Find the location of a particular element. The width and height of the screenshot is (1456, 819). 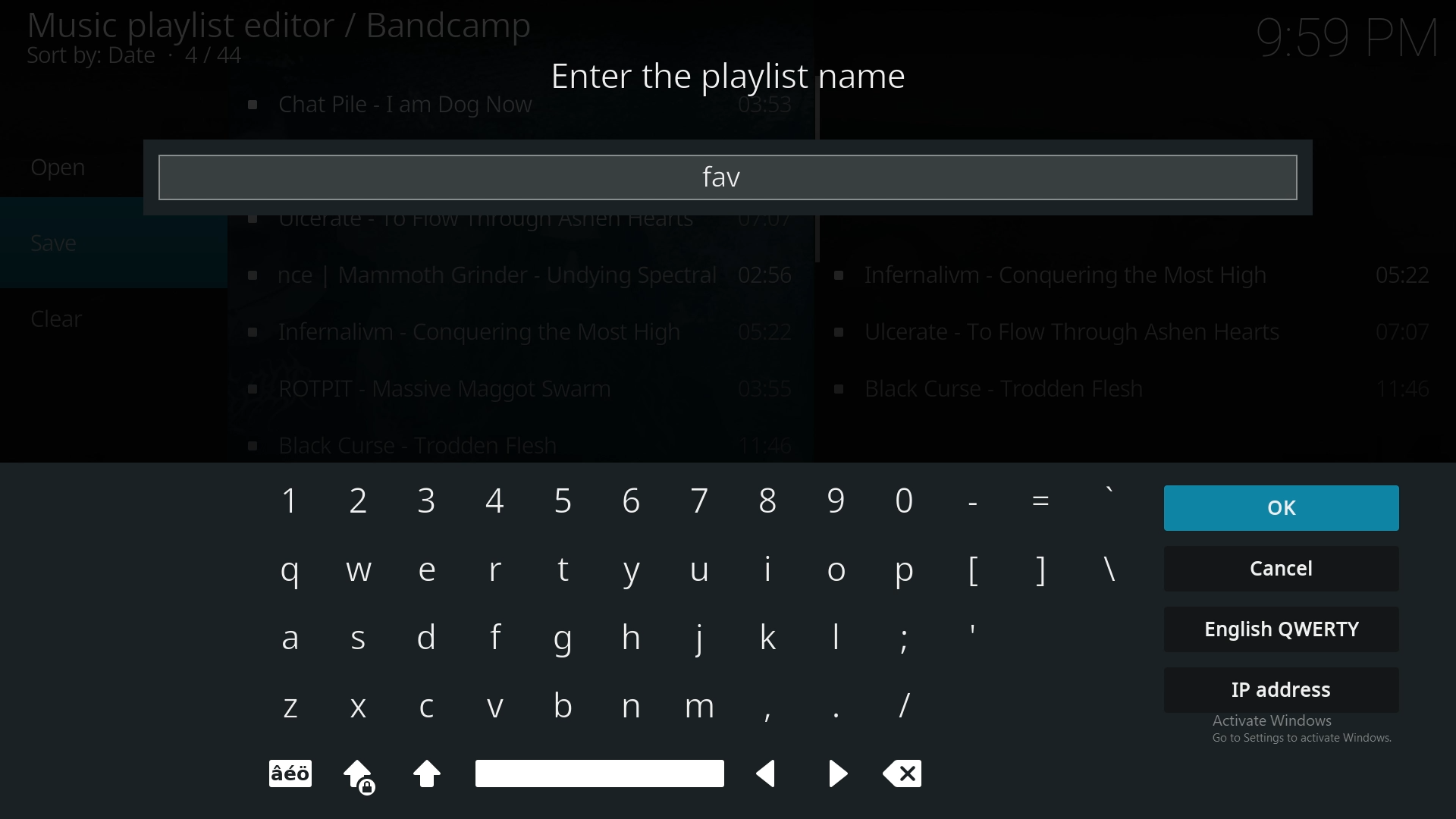

keyboard input is located at coordinates (698, 573).